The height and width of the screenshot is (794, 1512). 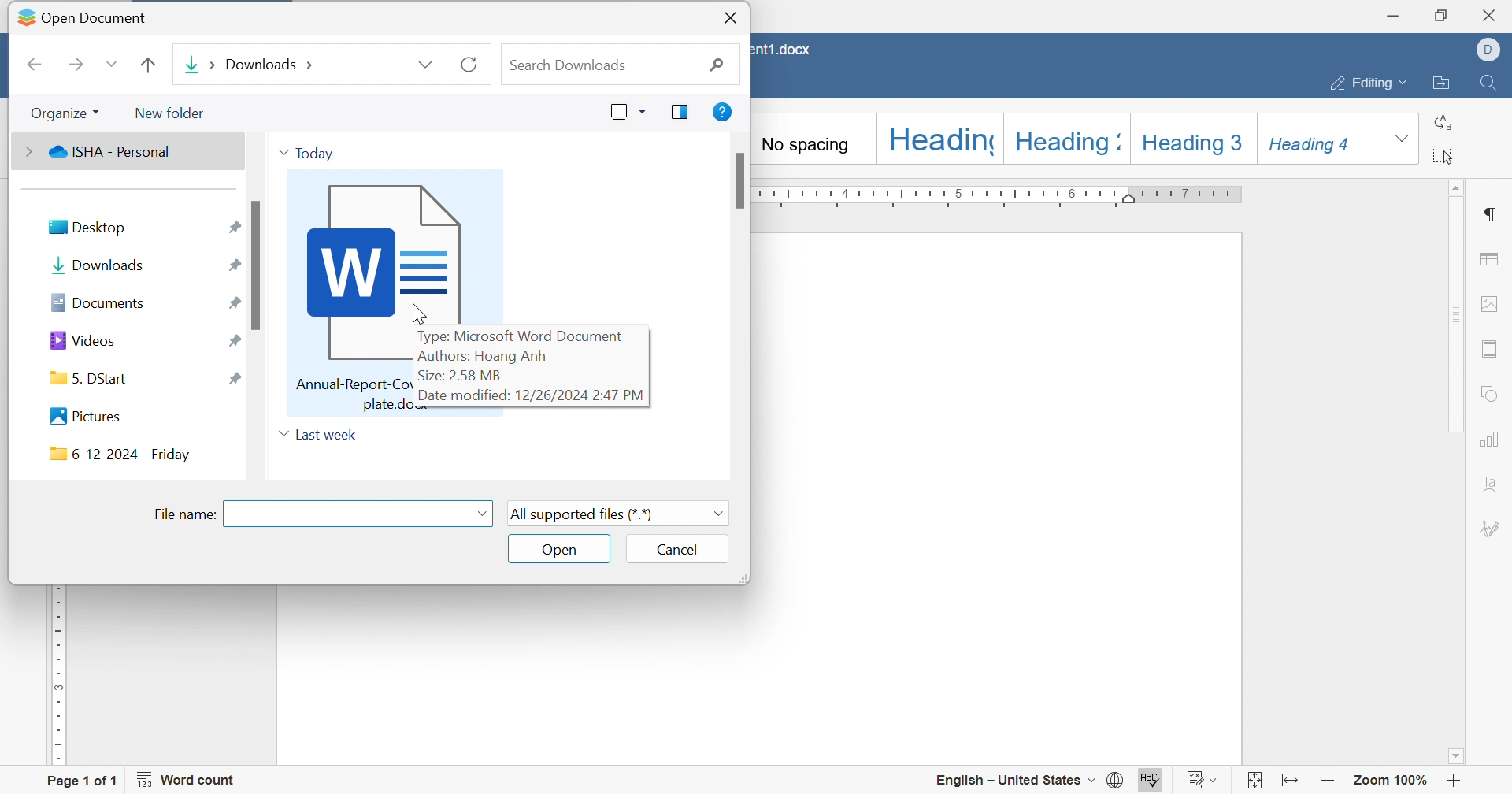 What do you see at coordinates (306, 155) in the screenshot?
I see `today` at bounding box center [306, 155].